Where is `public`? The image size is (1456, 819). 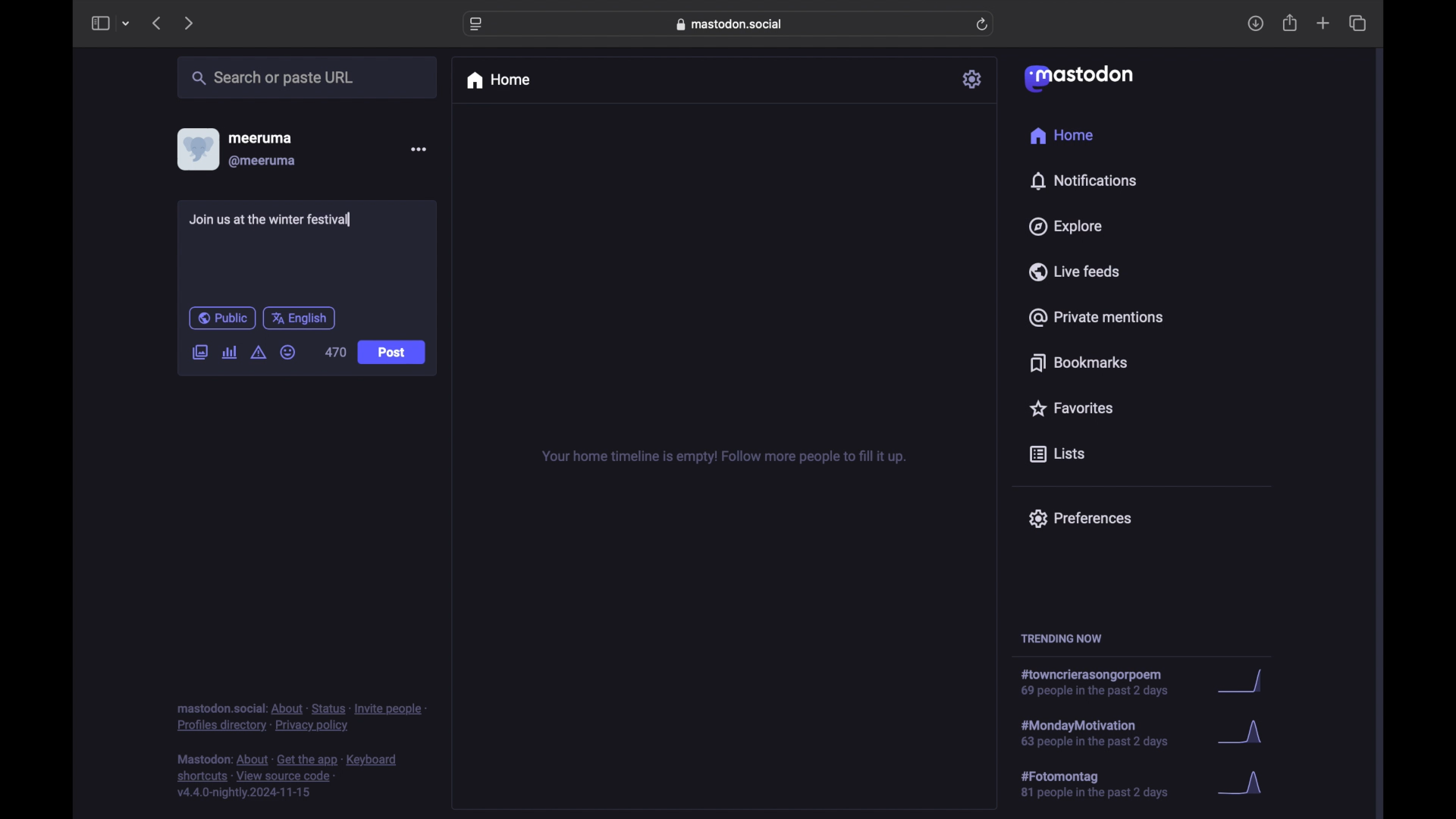
public is located at coordinates (221, 318).